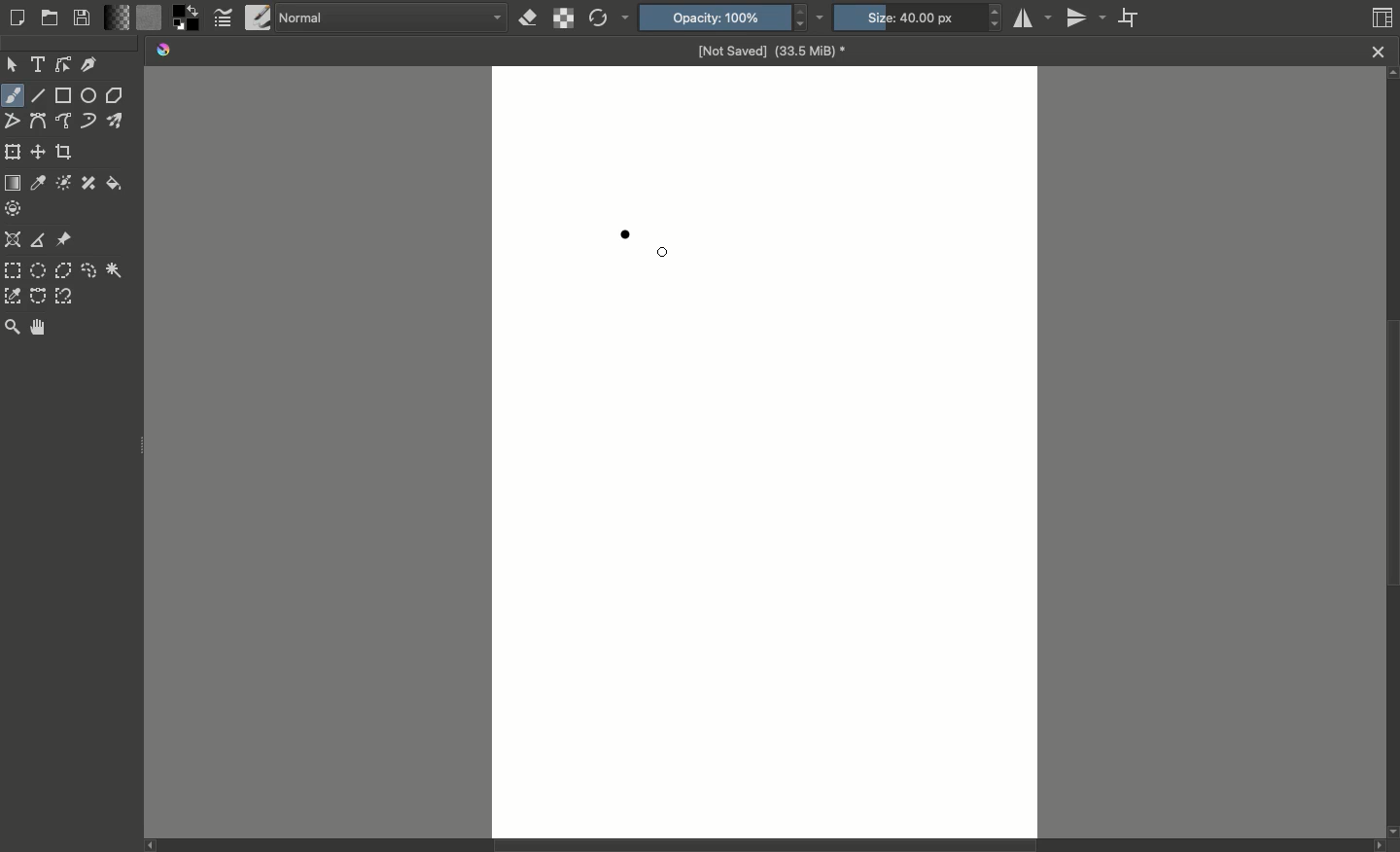  What do you see at coordinates (526, 20) in the screenshot?
I see `Set eraser mode` at bounding box center [526, 20].